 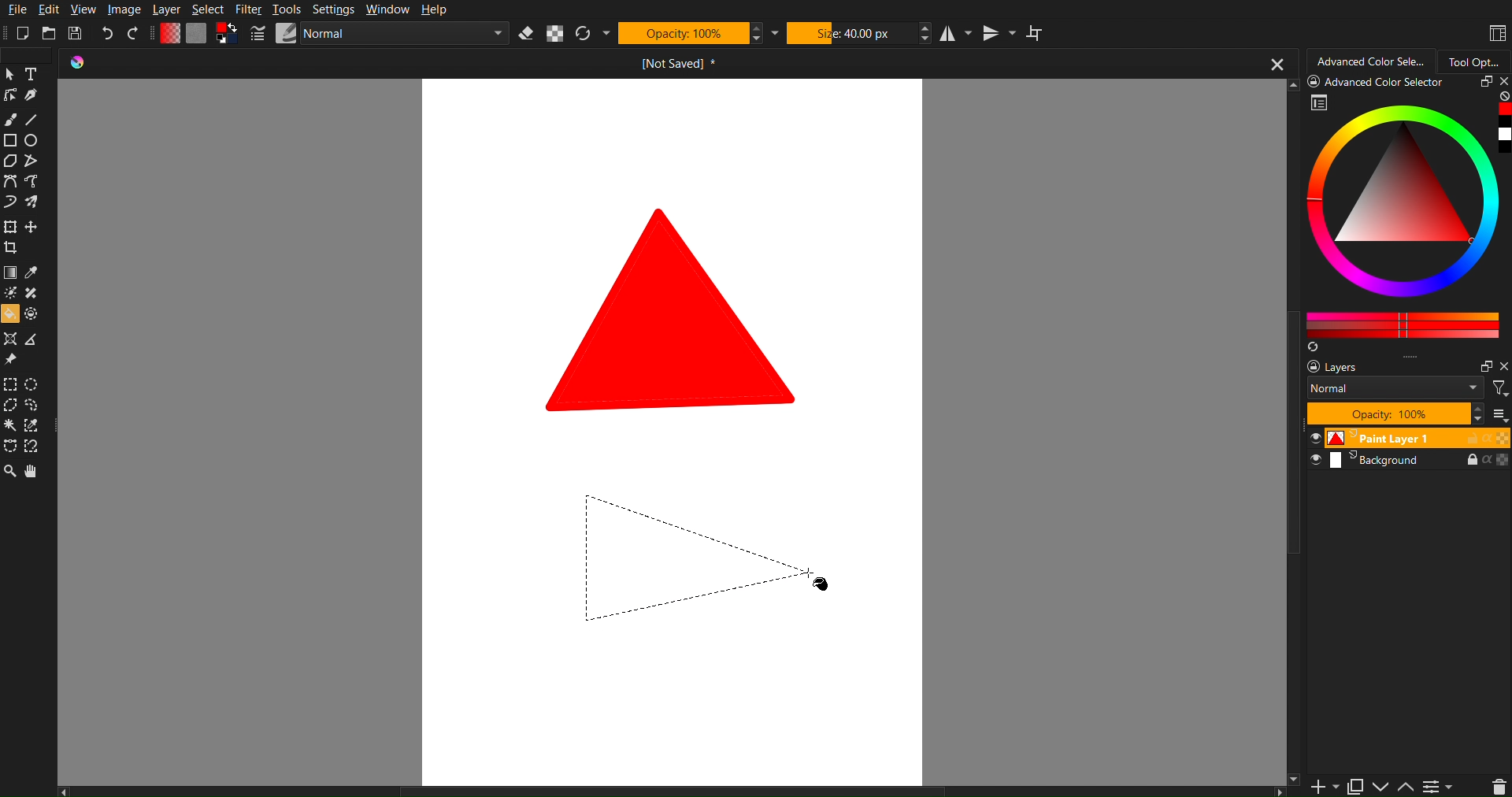 What do you see at coordinates (34, 294) in the screenshot?
I see `tool` at bounding box center [34, 294].